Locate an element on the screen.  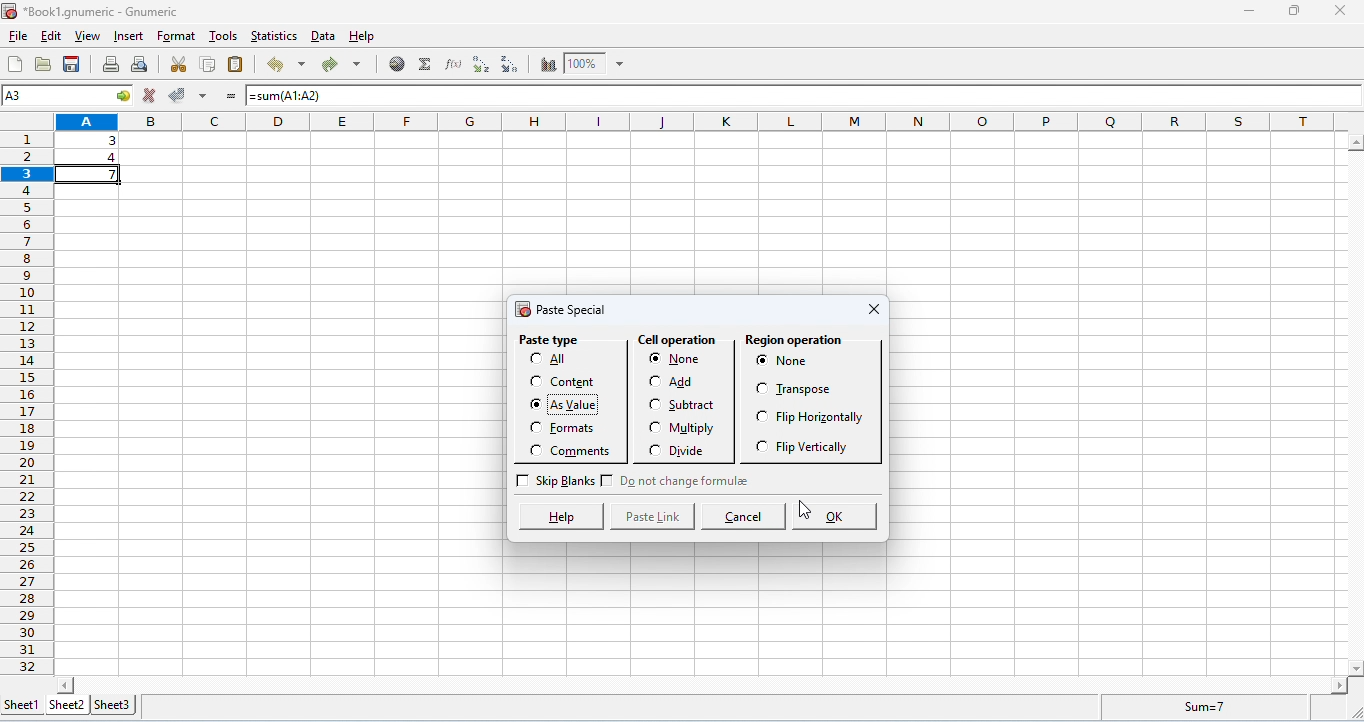
paste link is located at coordinates (652, 517).